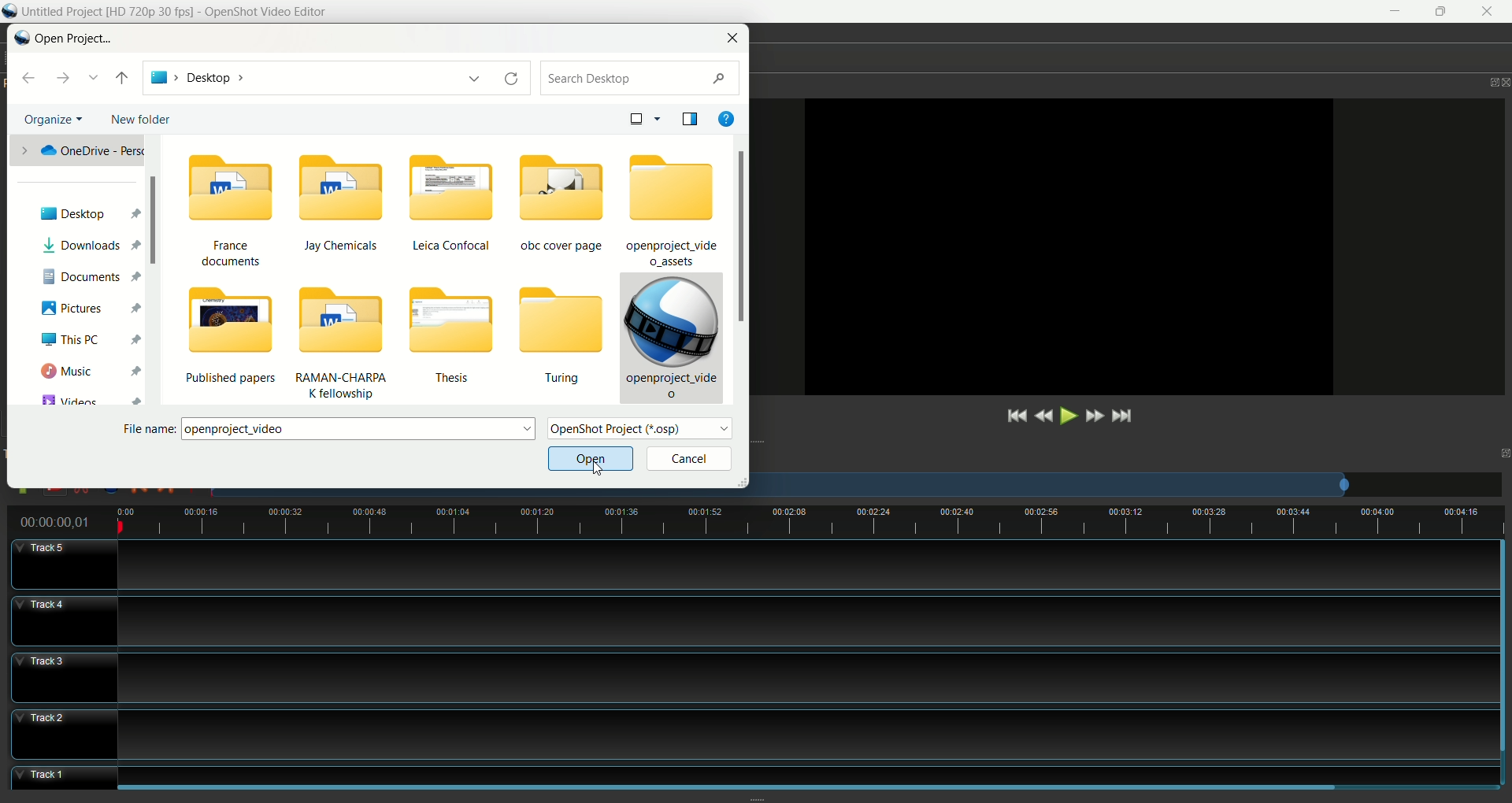 The height and width of the screenshot is (803, 1512). I want to click on scrollbar, so click(763, 789).